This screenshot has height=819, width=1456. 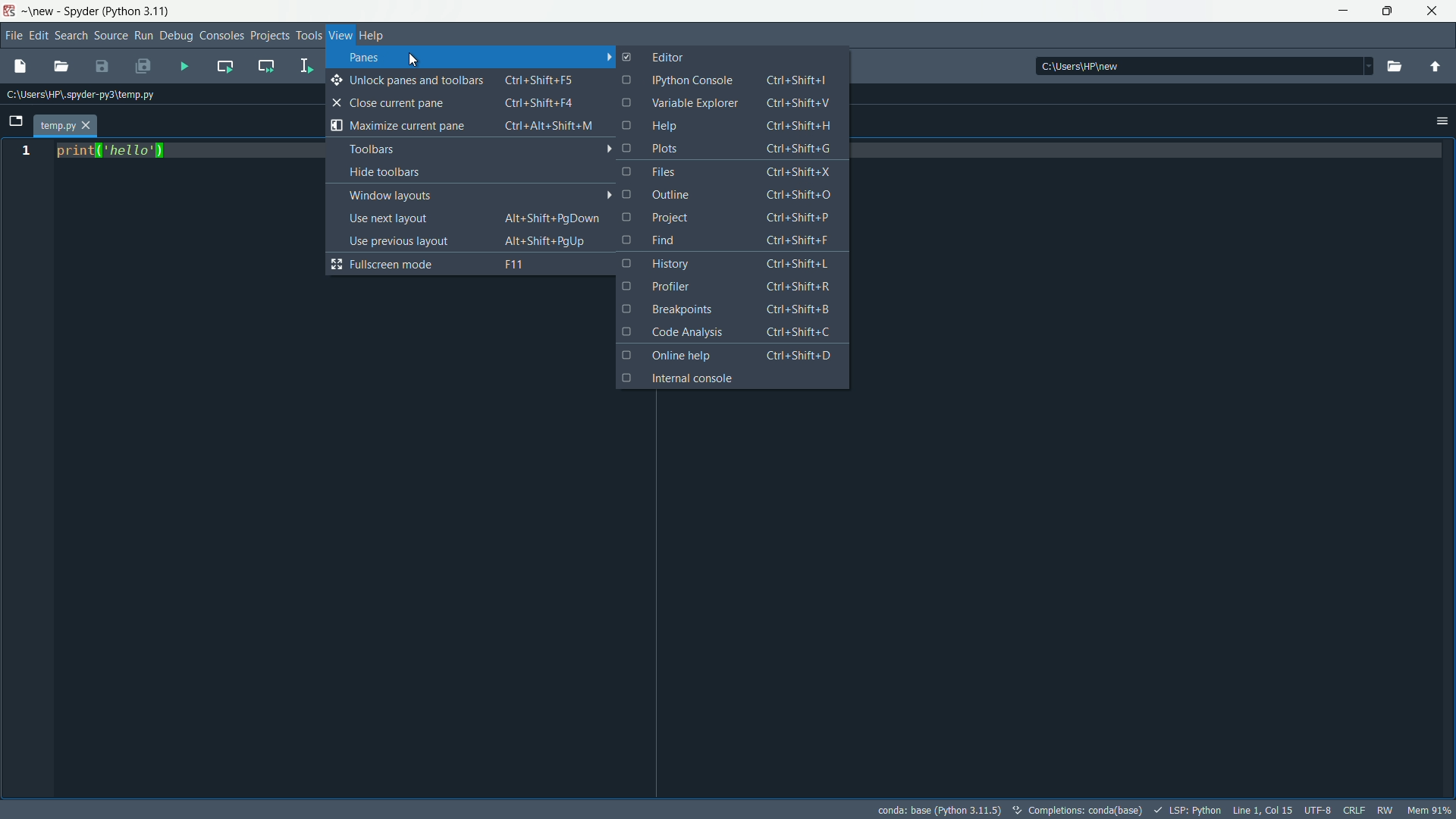 I want to click on internal console, so click(x=731, y=378).